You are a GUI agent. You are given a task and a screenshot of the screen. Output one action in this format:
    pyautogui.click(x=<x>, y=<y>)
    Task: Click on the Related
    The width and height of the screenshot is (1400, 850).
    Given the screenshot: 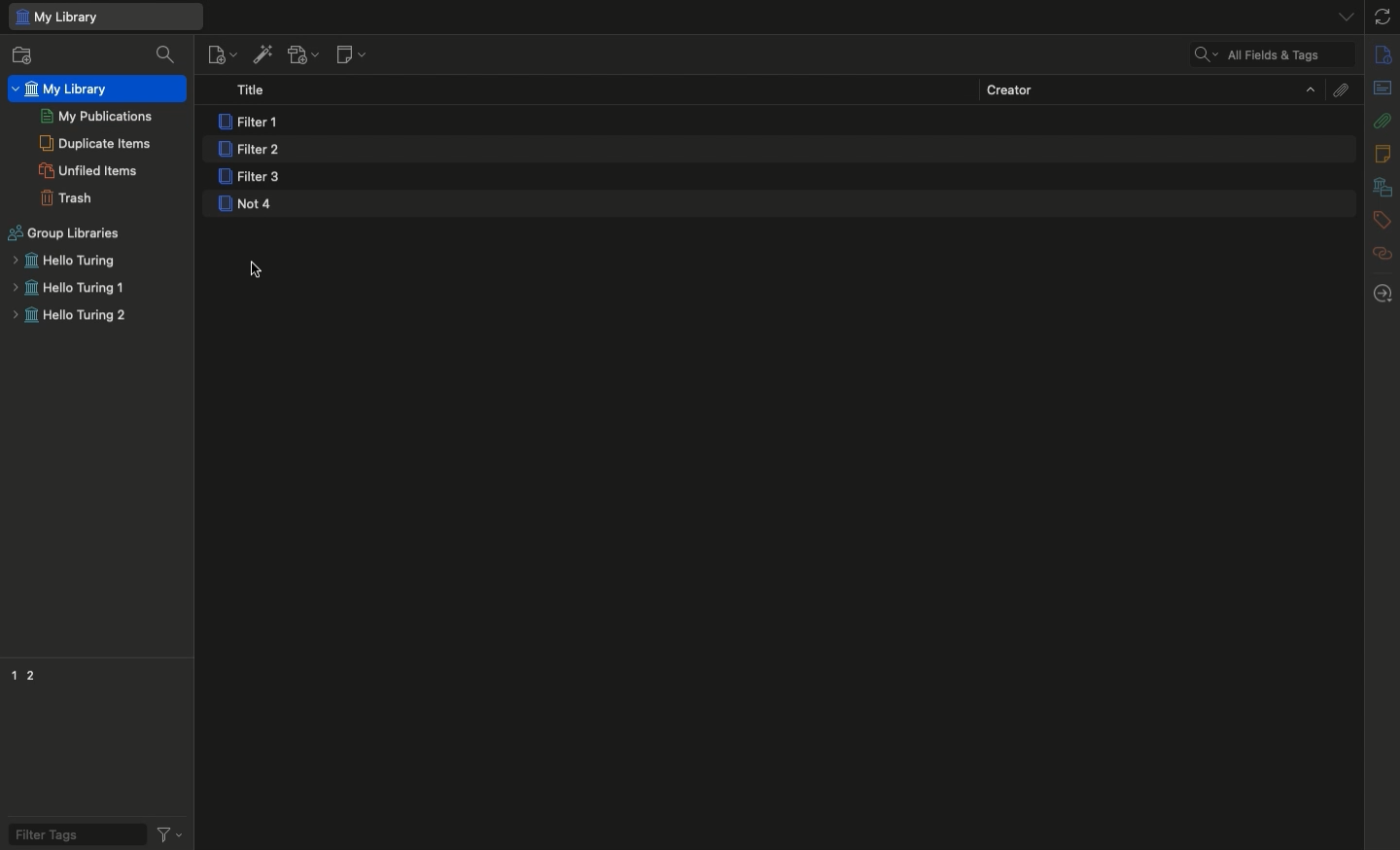 What is the action you would take?
    pyautogui.click(x=1382, y=253)
    